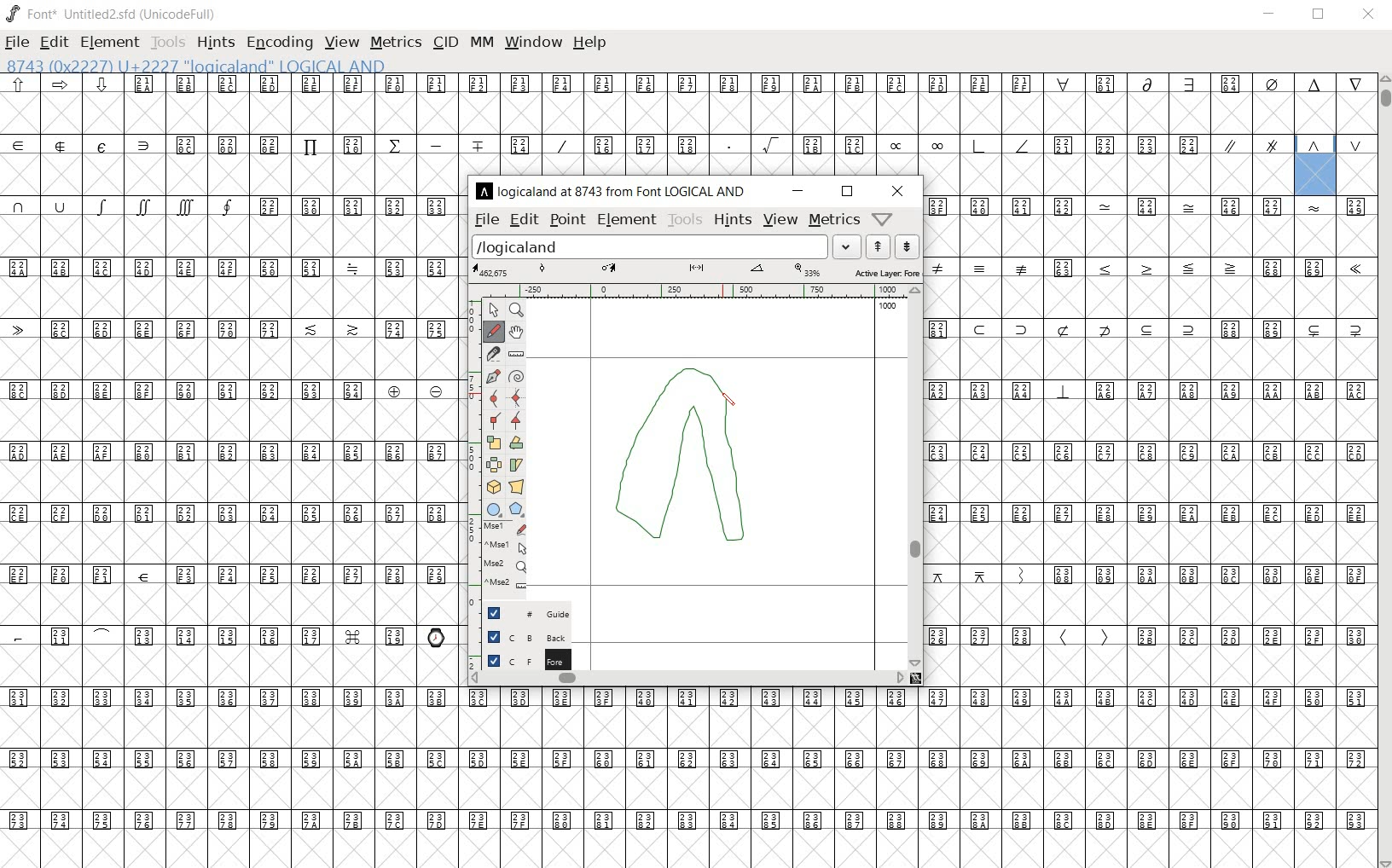 The width and height of the screenshot is (1392, 868). I want to click on active layer: fore, so click(697, 270).